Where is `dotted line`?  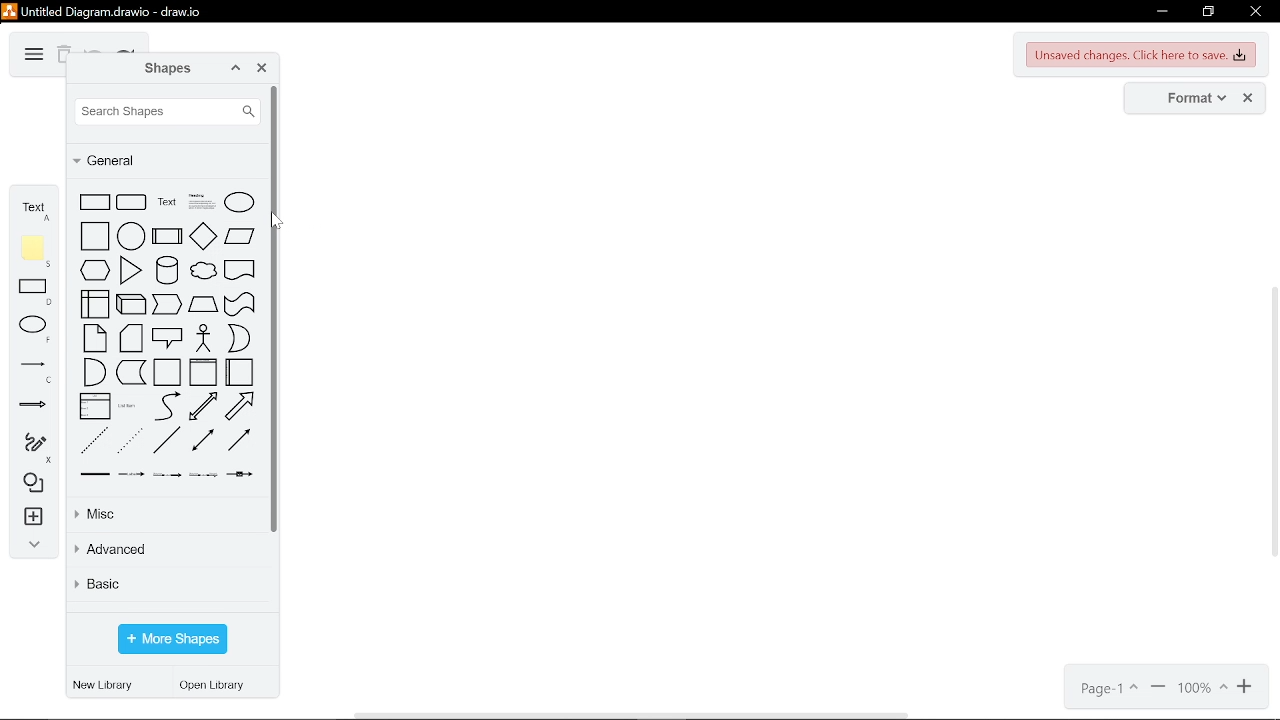
dotted line is located at coordinates (131, 440).